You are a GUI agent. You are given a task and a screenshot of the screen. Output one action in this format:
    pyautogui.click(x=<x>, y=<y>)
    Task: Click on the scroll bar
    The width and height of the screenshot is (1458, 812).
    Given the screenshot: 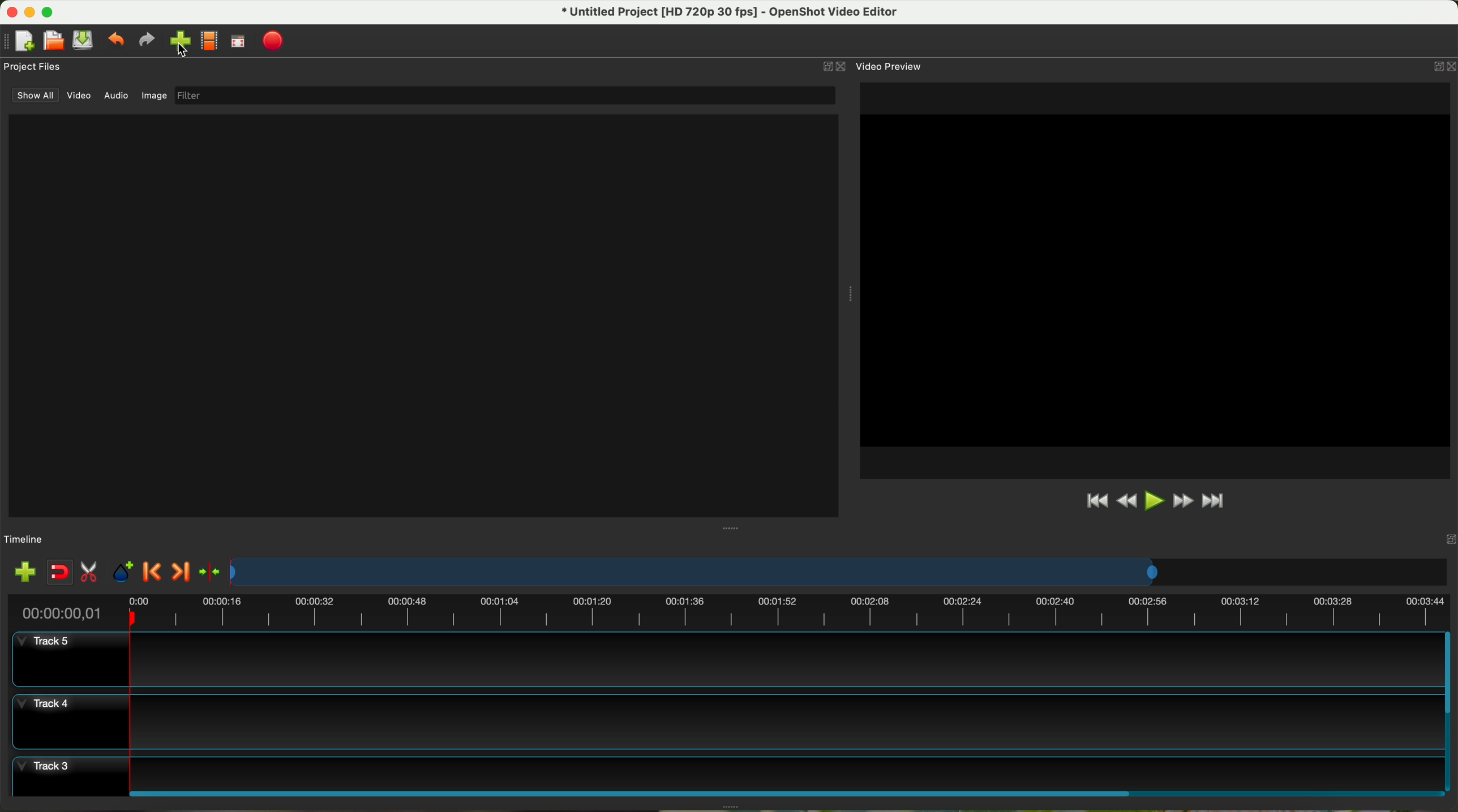 What is the action you would take?
    pyautogui.click(x=1449, y=711)
    